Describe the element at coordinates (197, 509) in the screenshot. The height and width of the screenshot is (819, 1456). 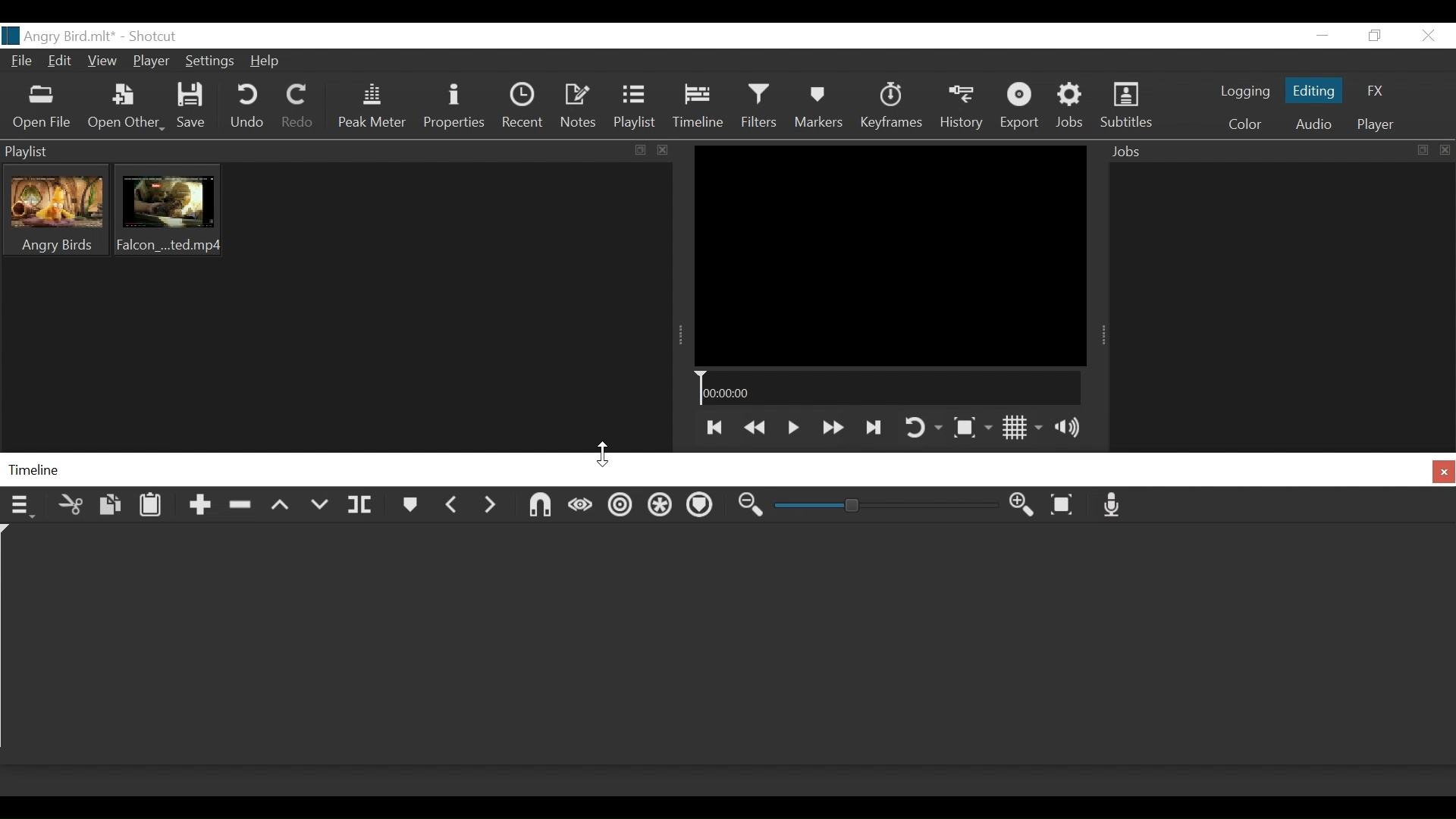
I see `Append` at that location.